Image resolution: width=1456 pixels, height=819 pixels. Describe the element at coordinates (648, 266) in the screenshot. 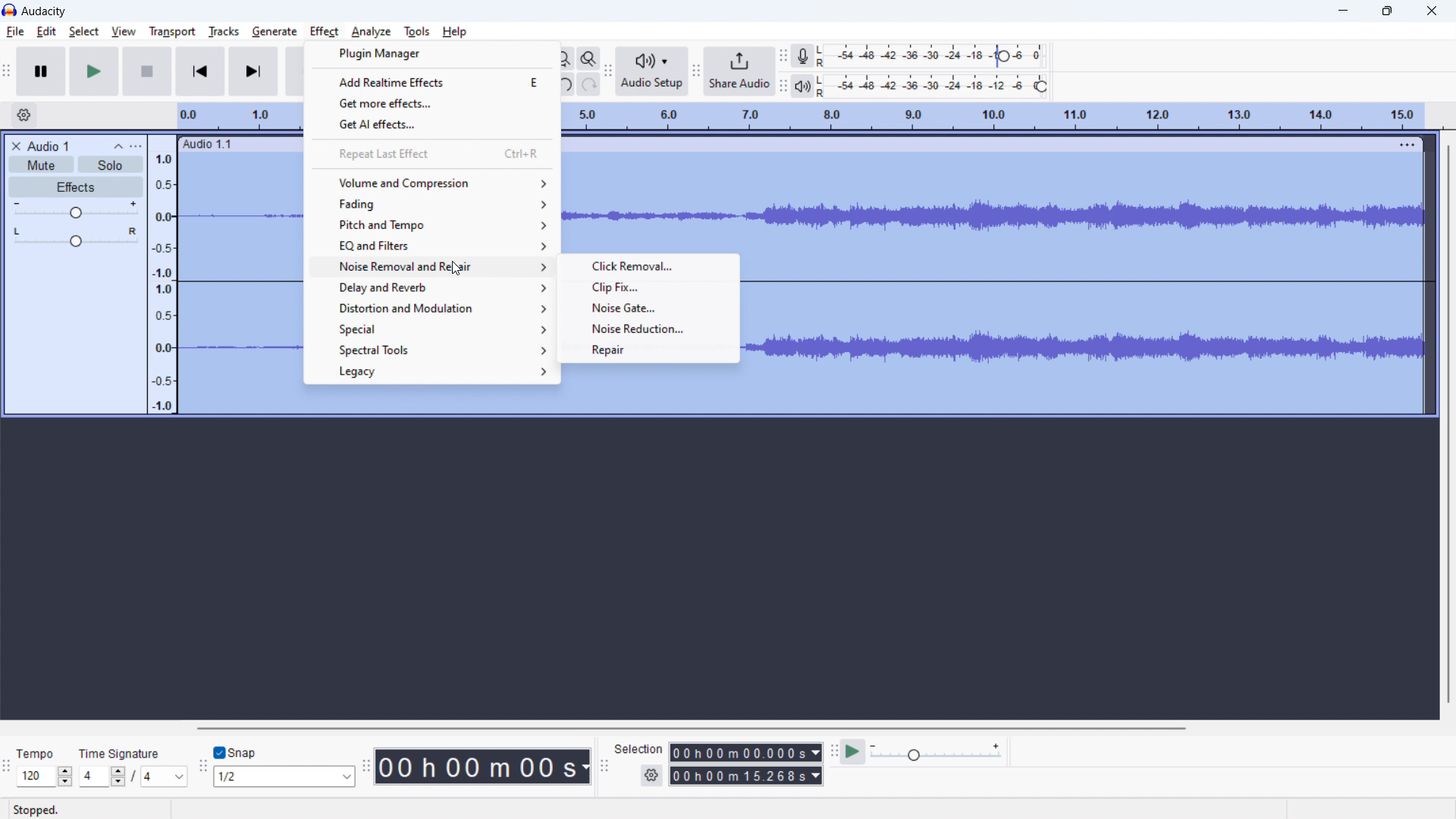

I see `click removal` at that location.